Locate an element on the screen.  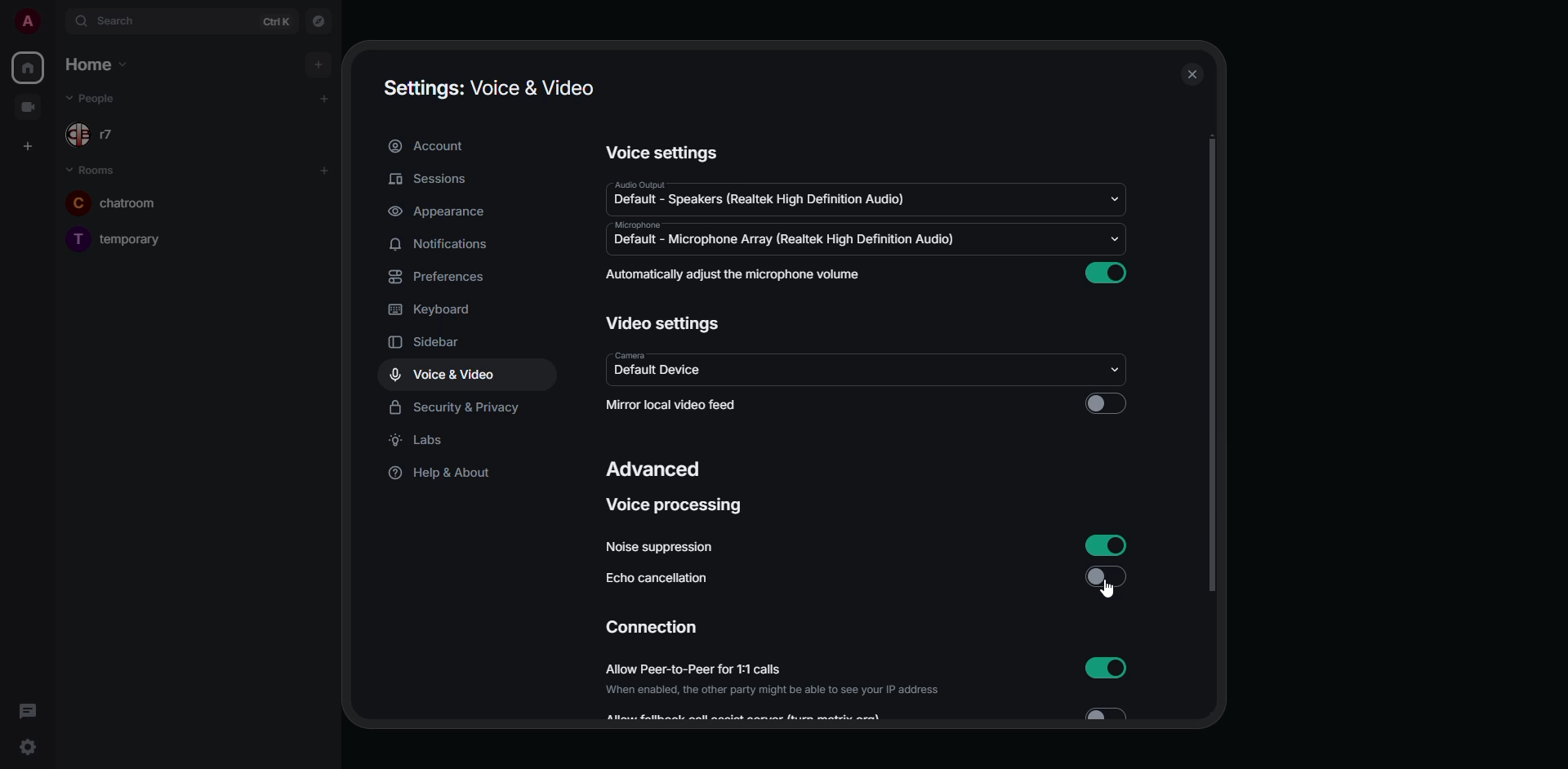
account is located at coordinates (429, 146).